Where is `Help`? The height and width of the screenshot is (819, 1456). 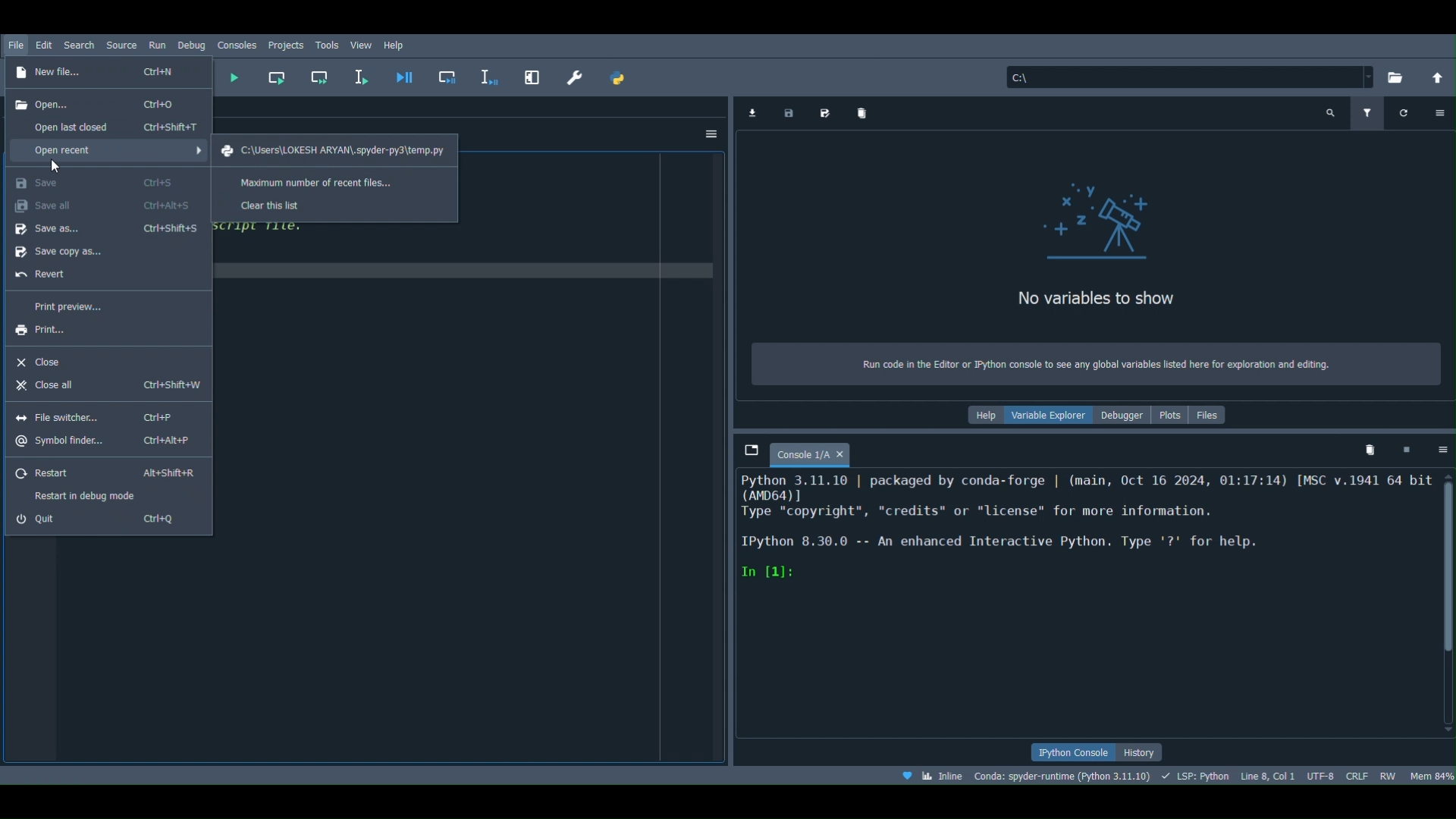
Help is located at coordinates (983, 419).